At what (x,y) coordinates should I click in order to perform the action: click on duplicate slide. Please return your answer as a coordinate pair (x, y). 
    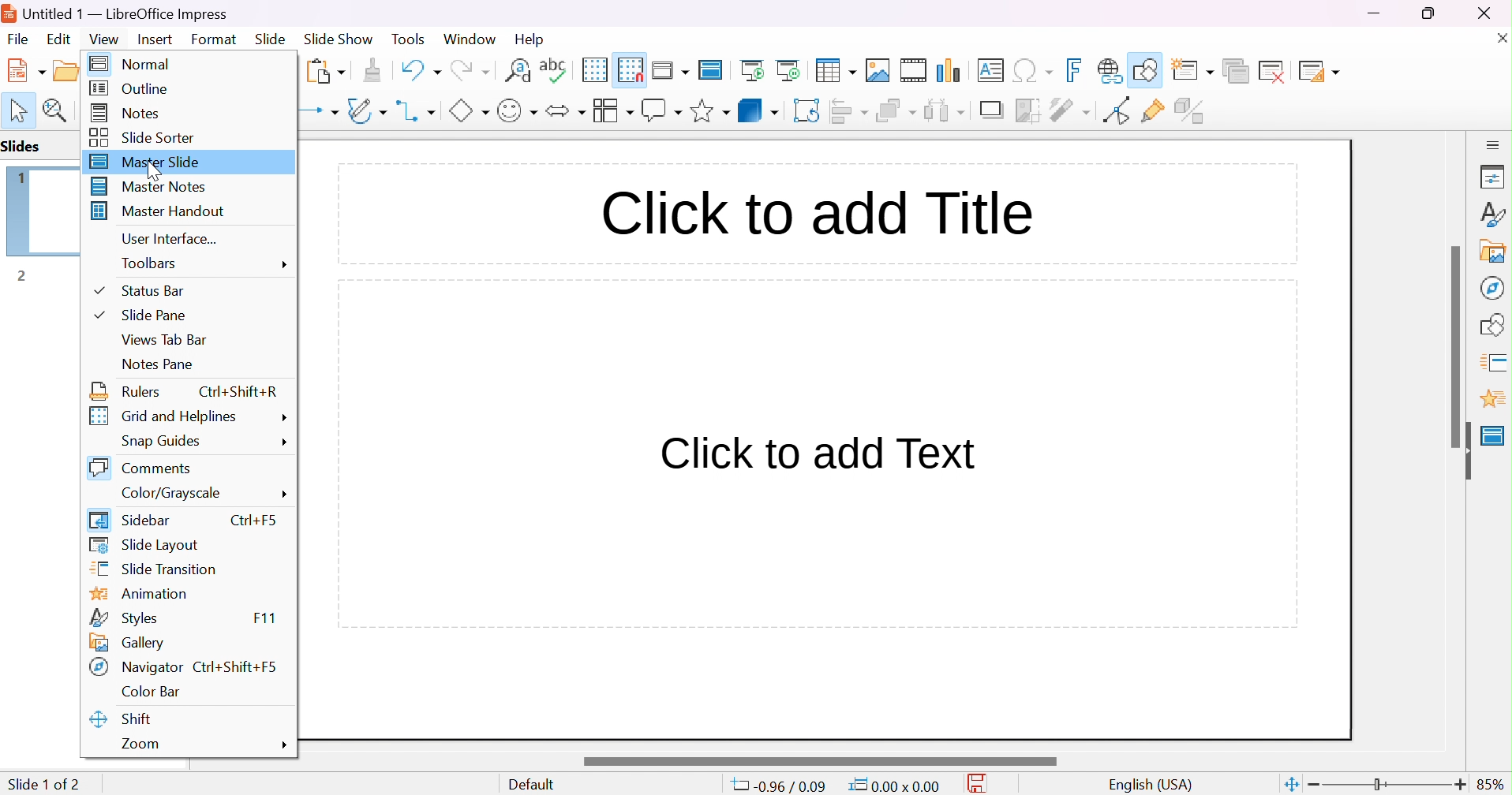
    Looking at the image, I should click on (1235, 71).